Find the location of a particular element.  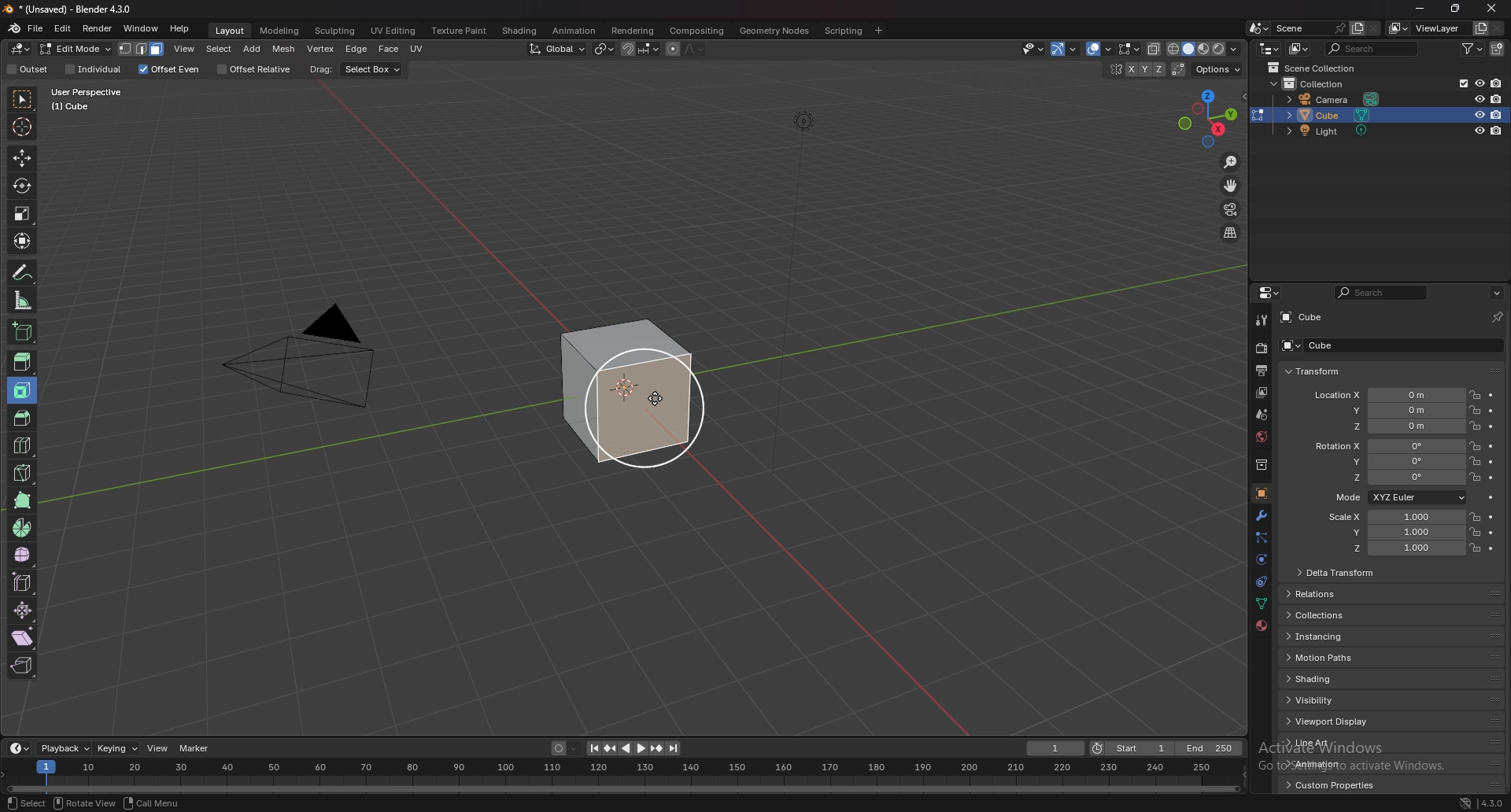

disable in render is located at coordinates (1498, 98).